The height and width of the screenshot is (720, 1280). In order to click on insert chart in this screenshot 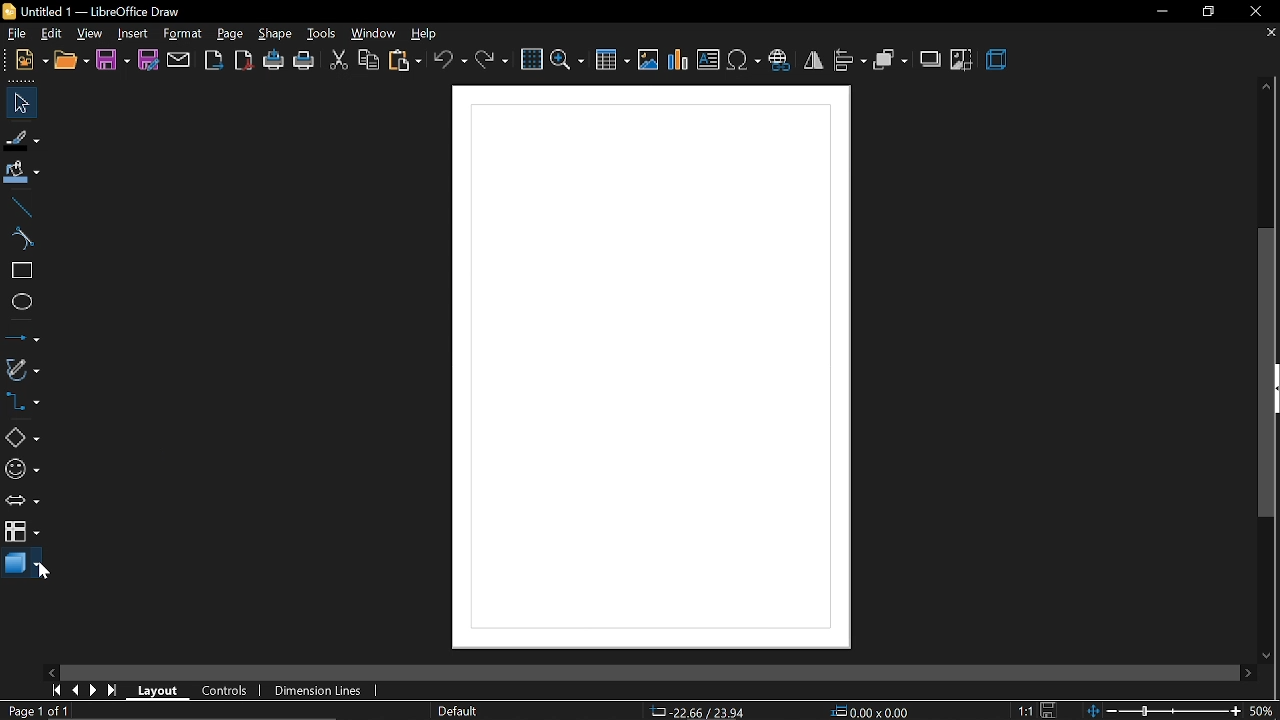, I will do `click(678, 60)`.